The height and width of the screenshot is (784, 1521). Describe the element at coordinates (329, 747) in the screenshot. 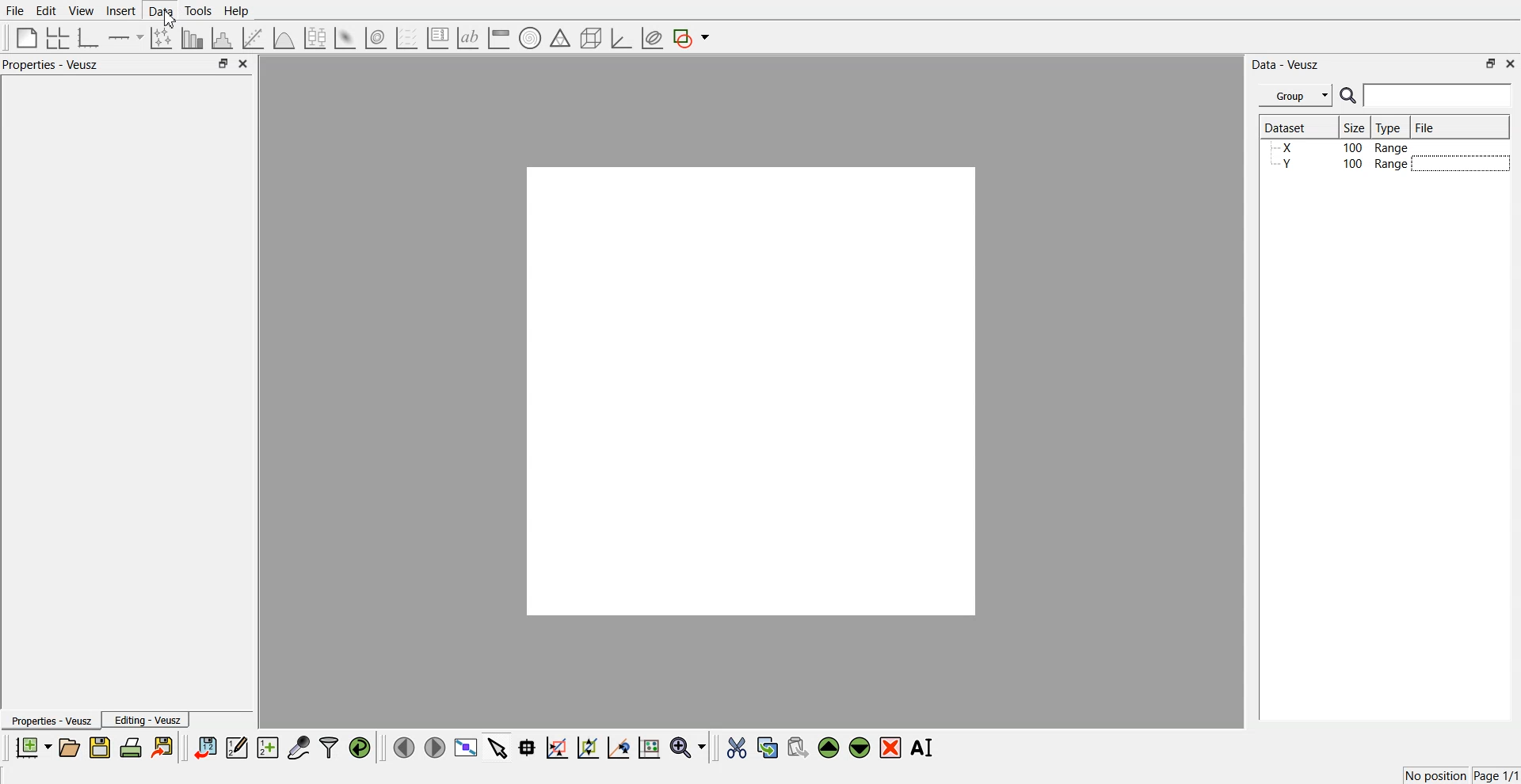

I see `Filter dataset` at that location.